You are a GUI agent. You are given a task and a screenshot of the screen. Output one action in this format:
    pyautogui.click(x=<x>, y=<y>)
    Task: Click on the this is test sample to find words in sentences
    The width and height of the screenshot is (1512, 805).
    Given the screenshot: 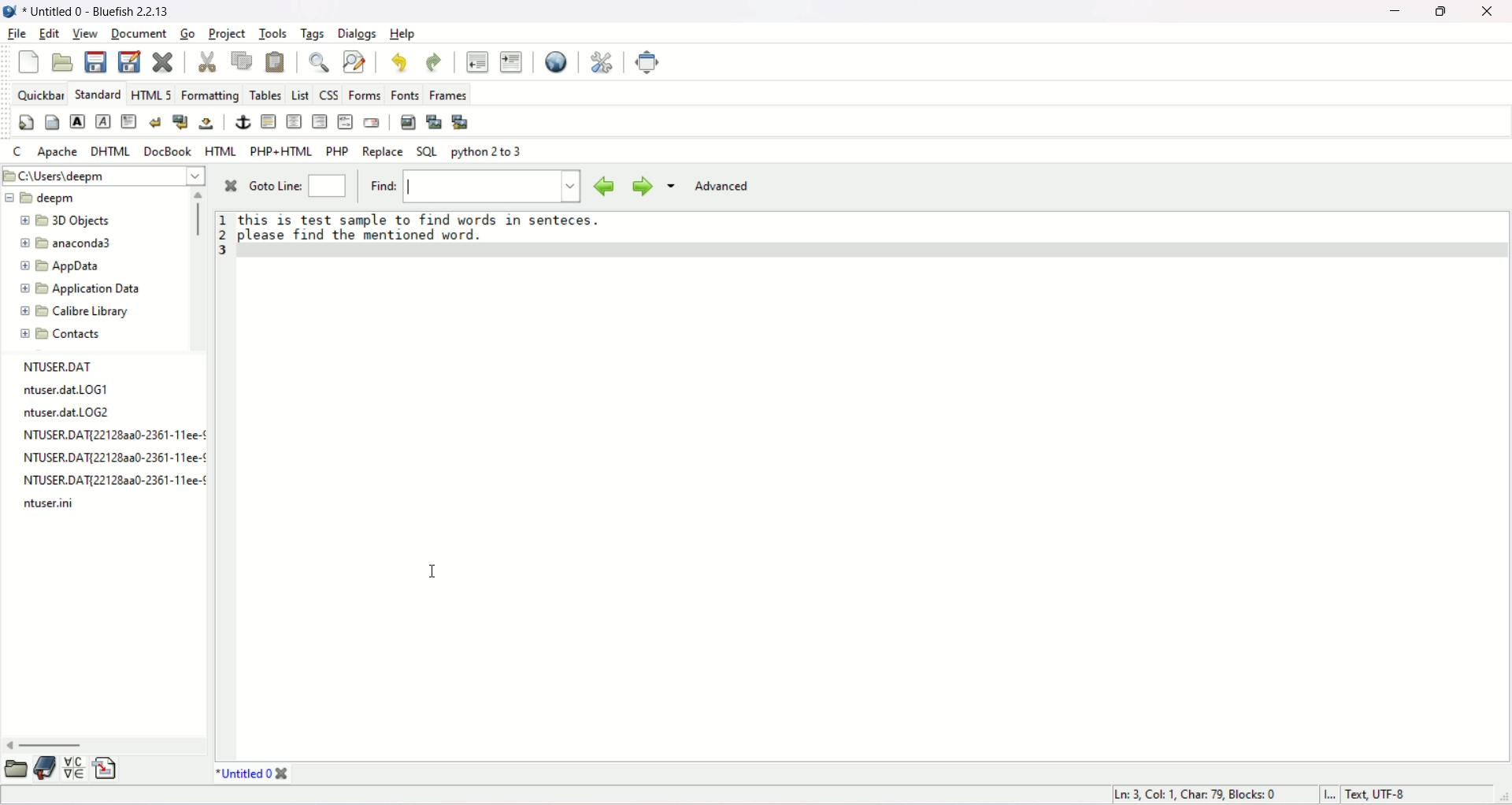 What is the action you would take?
    pyautogui.click(x=433, y=219)
    